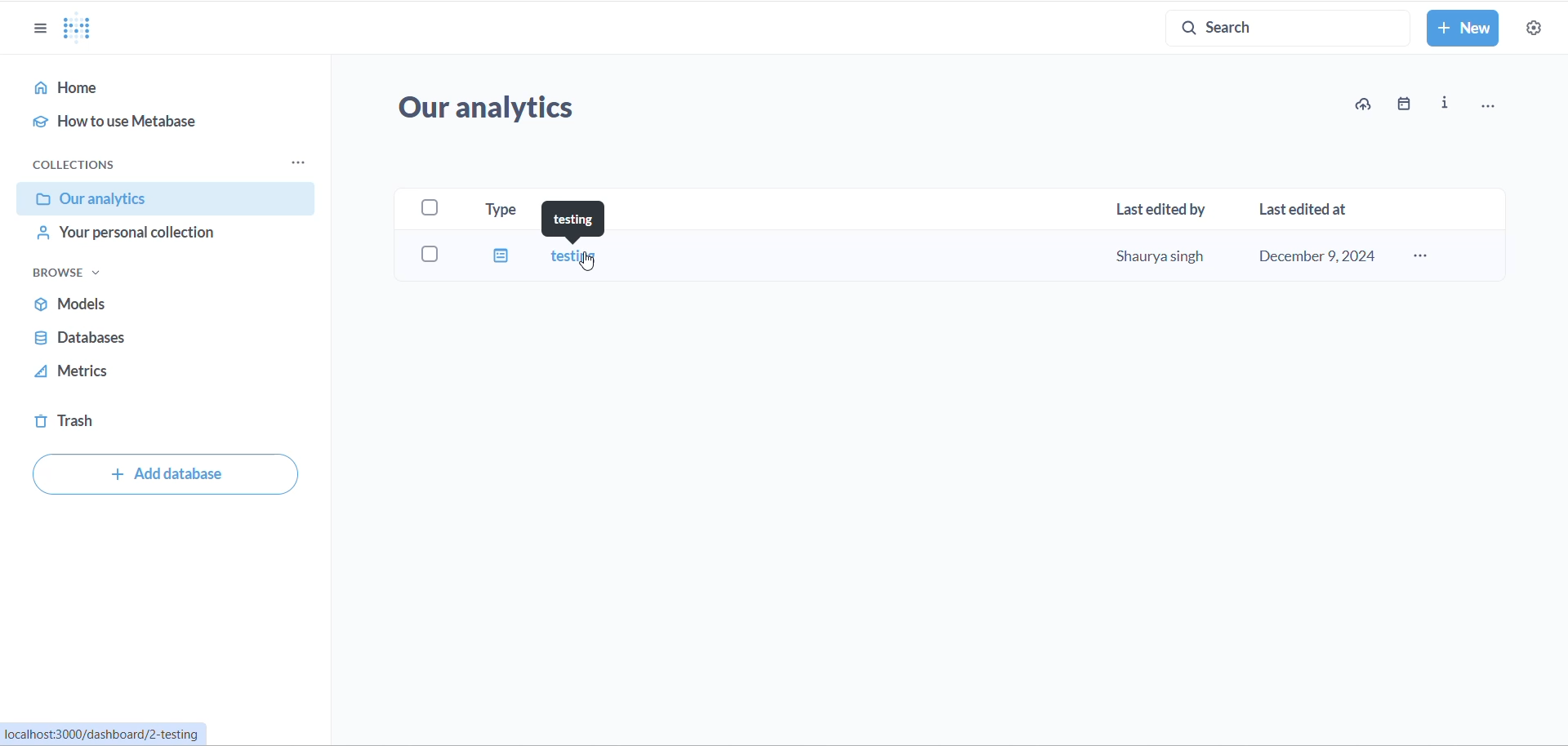  I want to click on testing , so click(569, 222).